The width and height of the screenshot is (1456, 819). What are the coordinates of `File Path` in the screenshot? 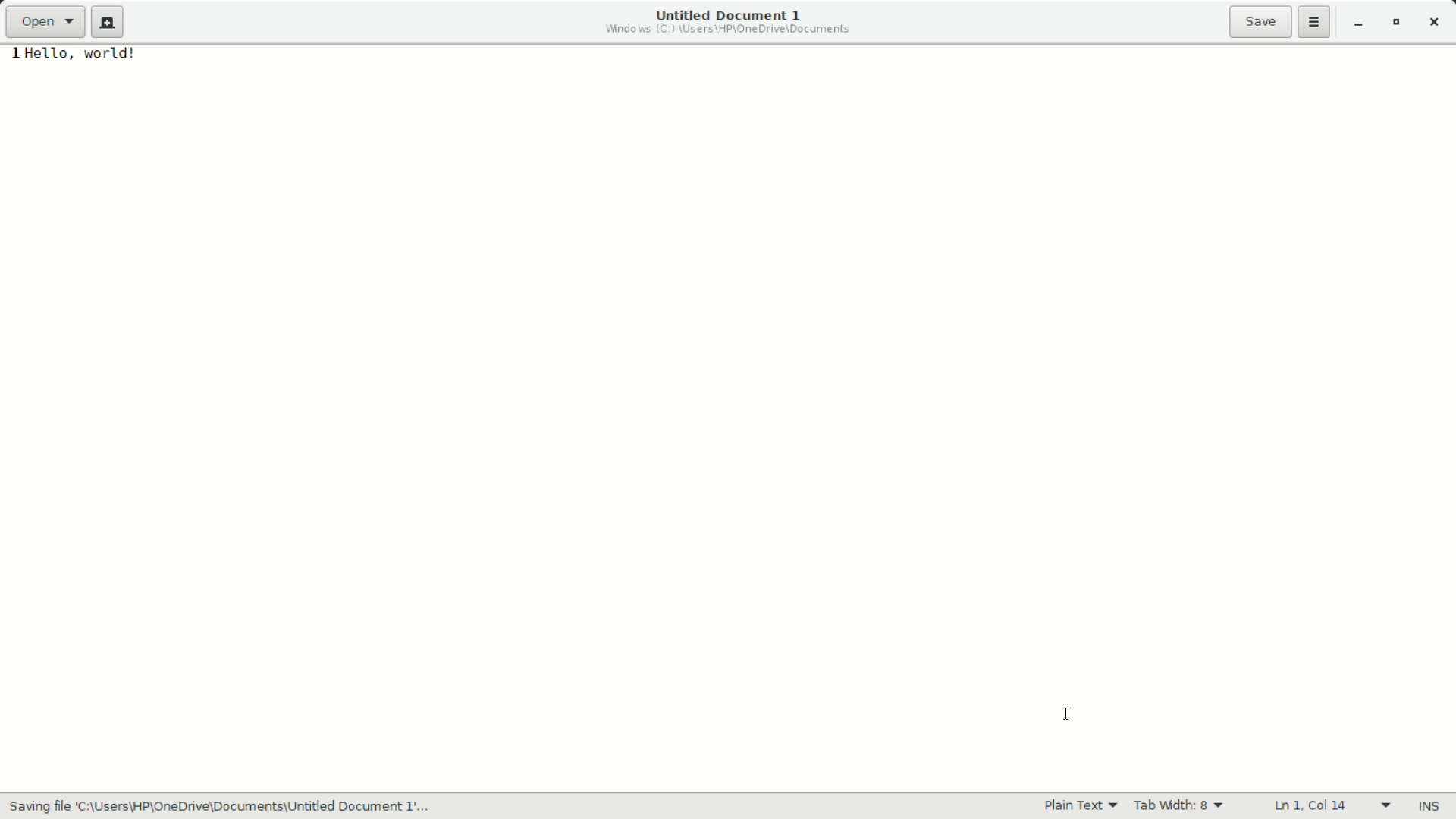 It's located at (727, 30).